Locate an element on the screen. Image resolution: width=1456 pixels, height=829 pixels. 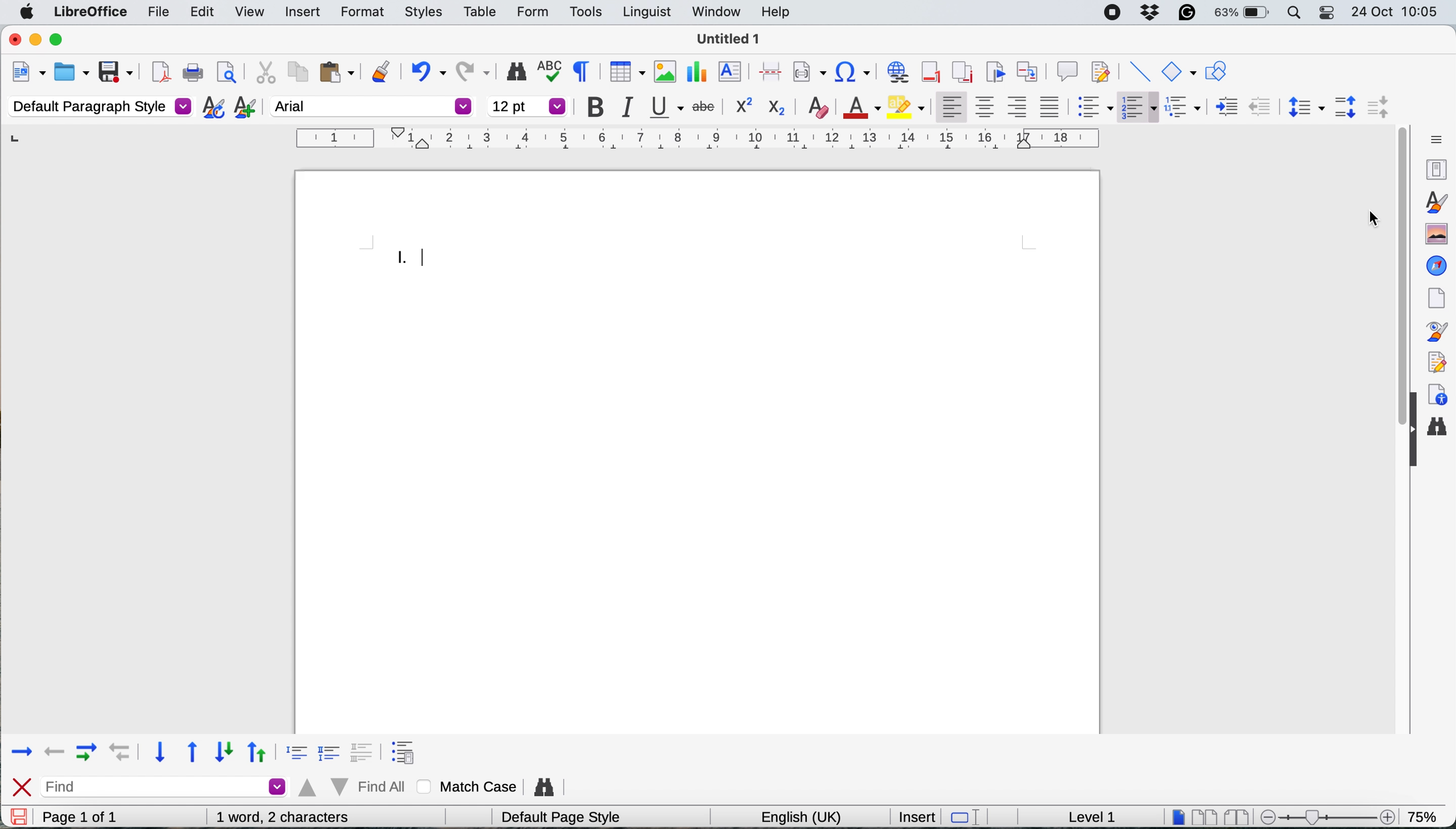
navigator is located at coordinates (1437, 265).